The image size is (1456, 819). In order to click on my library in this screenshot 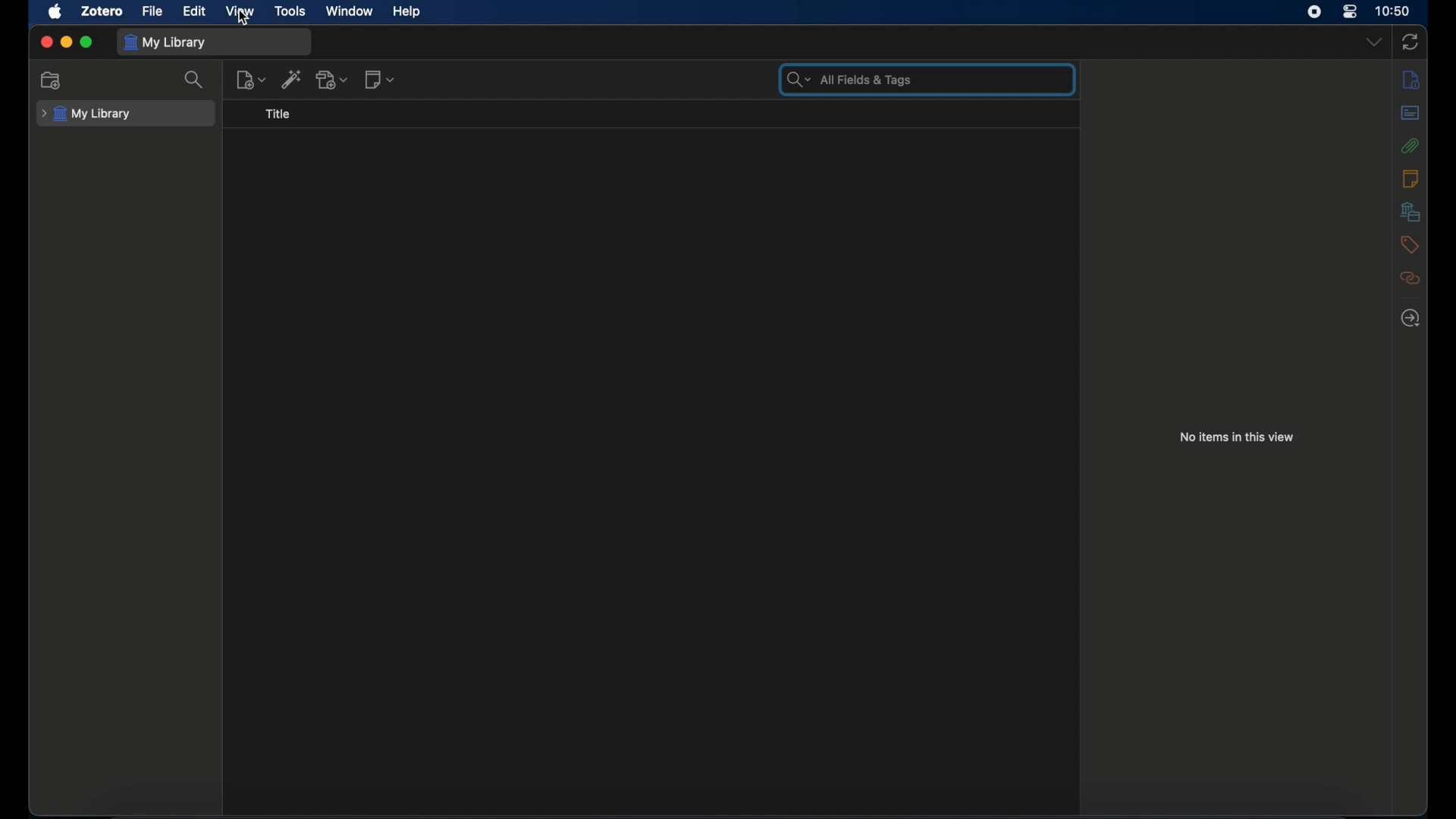, I will do `click(165, 43)`.